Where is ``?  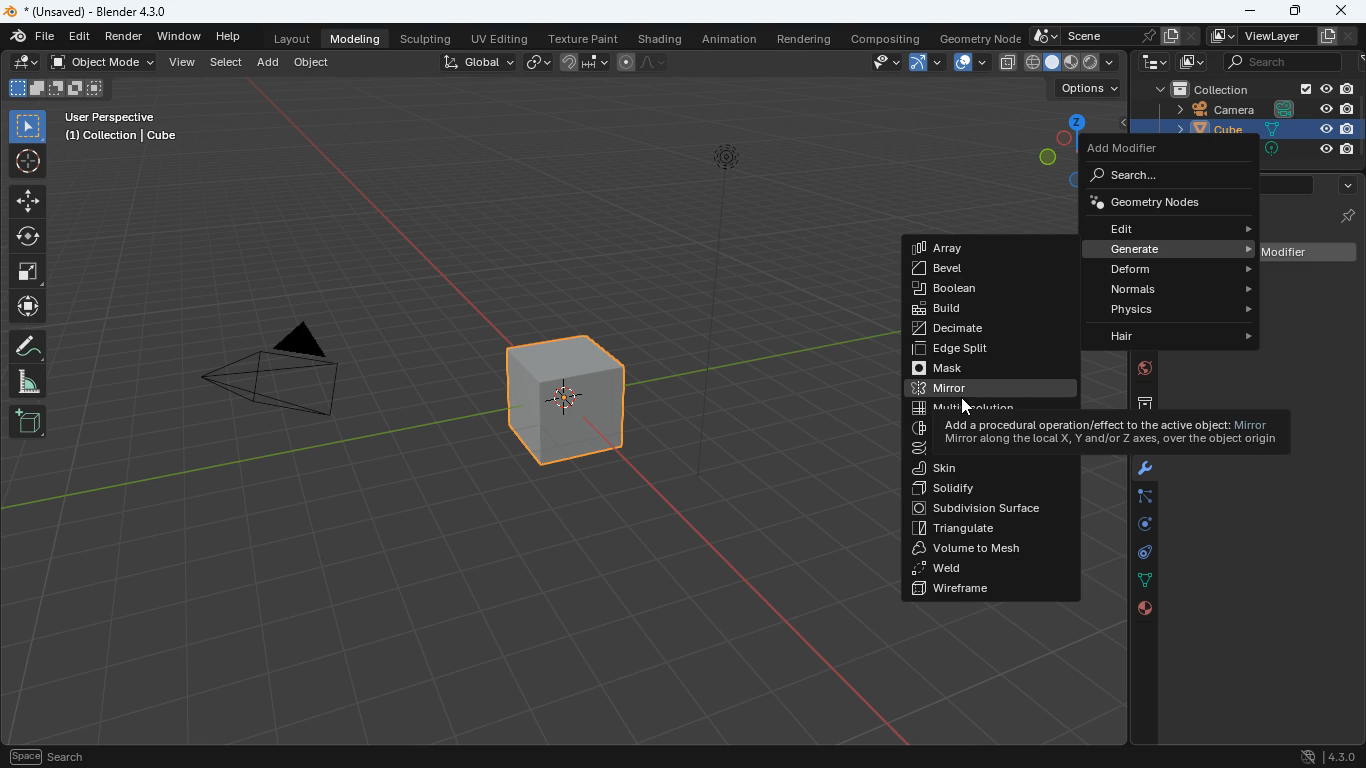  is located at coordinates (1331, 36).